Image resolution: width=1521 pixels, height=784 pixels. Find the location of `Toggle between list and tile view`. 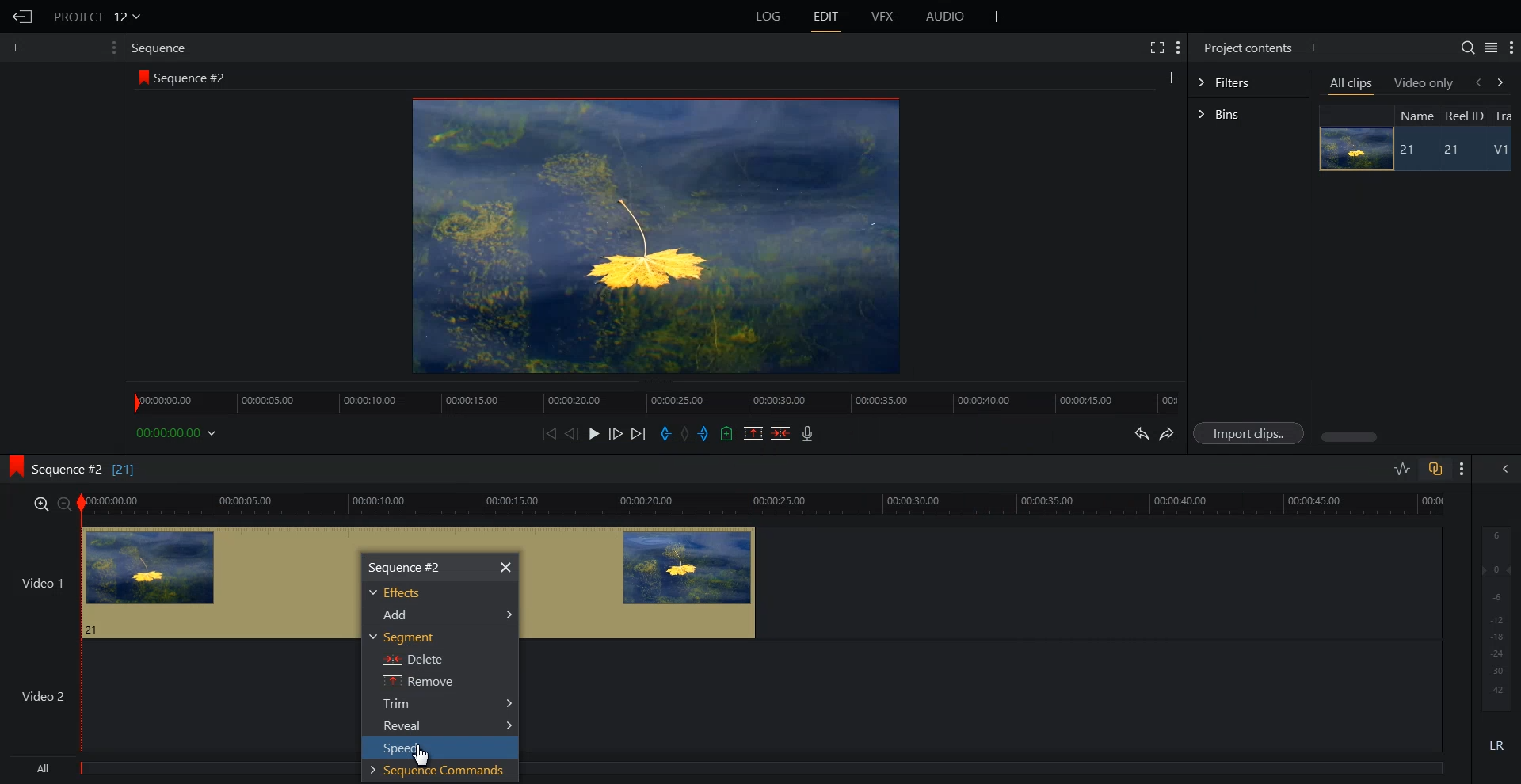

Toggle between list and tile view is located at coordinates (1491, 48).